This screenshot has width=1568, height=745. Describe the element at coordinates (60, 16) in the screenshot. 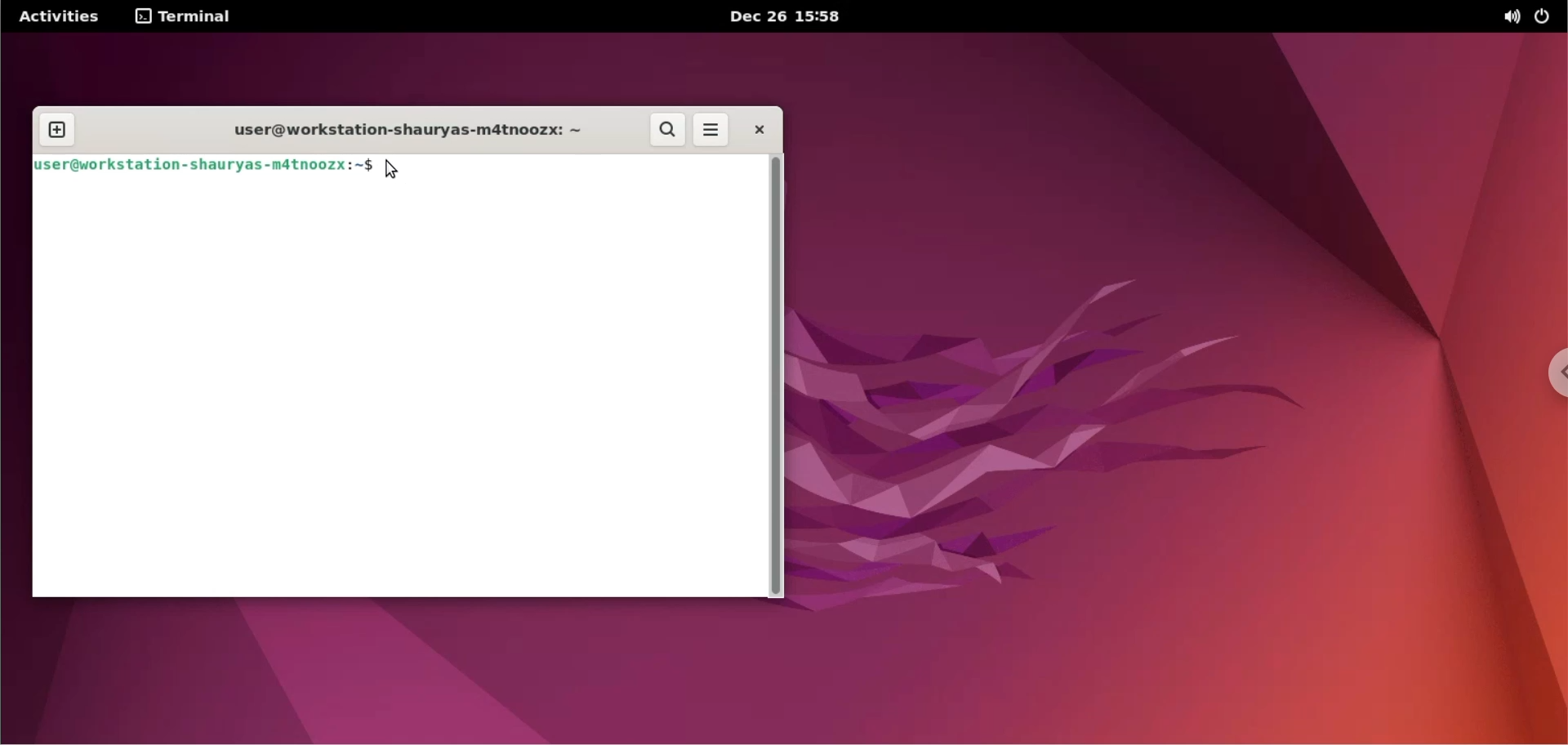

I see `Activities` at that location.